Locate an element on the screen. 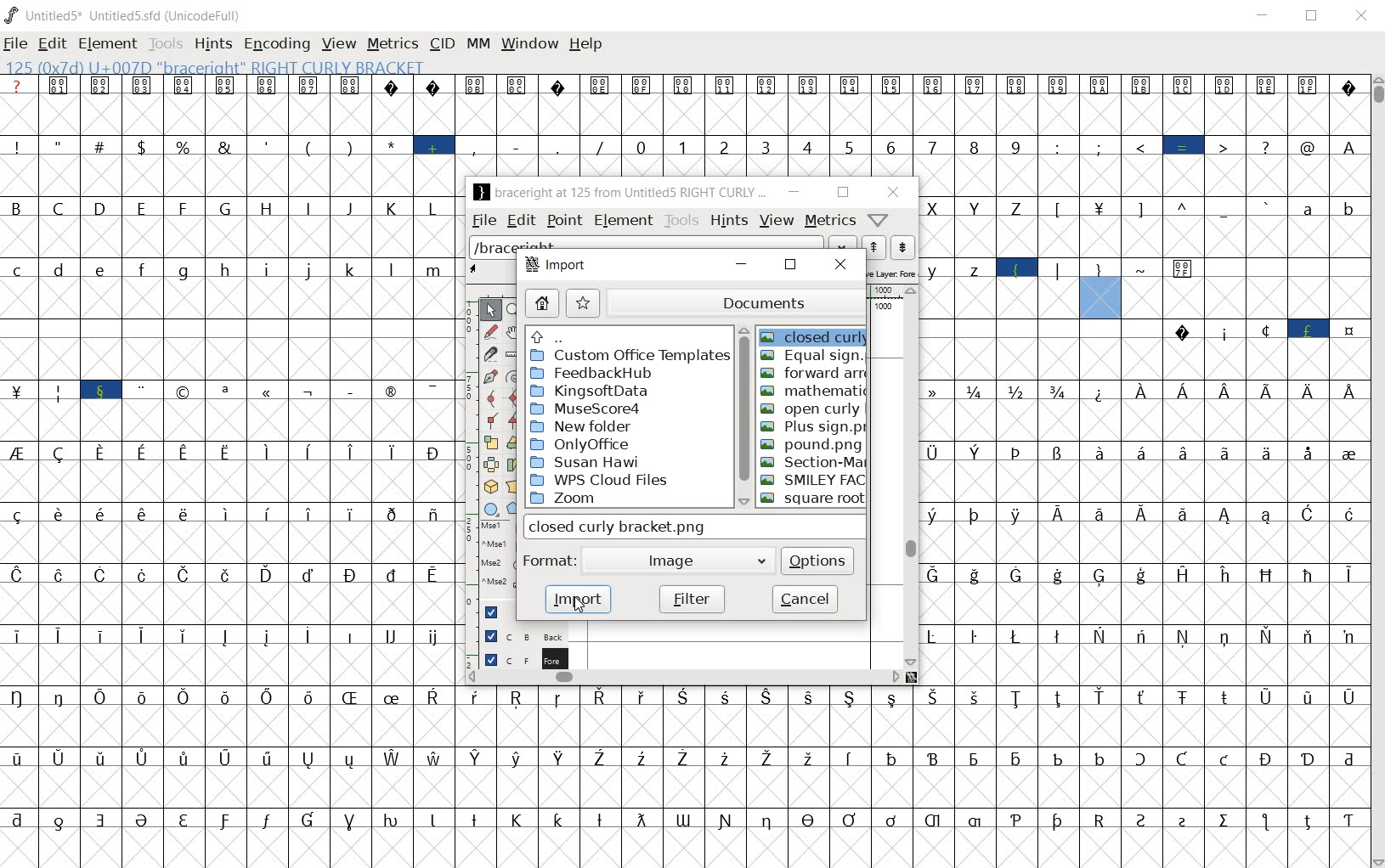  Square root is located at coordinates (812, 499).